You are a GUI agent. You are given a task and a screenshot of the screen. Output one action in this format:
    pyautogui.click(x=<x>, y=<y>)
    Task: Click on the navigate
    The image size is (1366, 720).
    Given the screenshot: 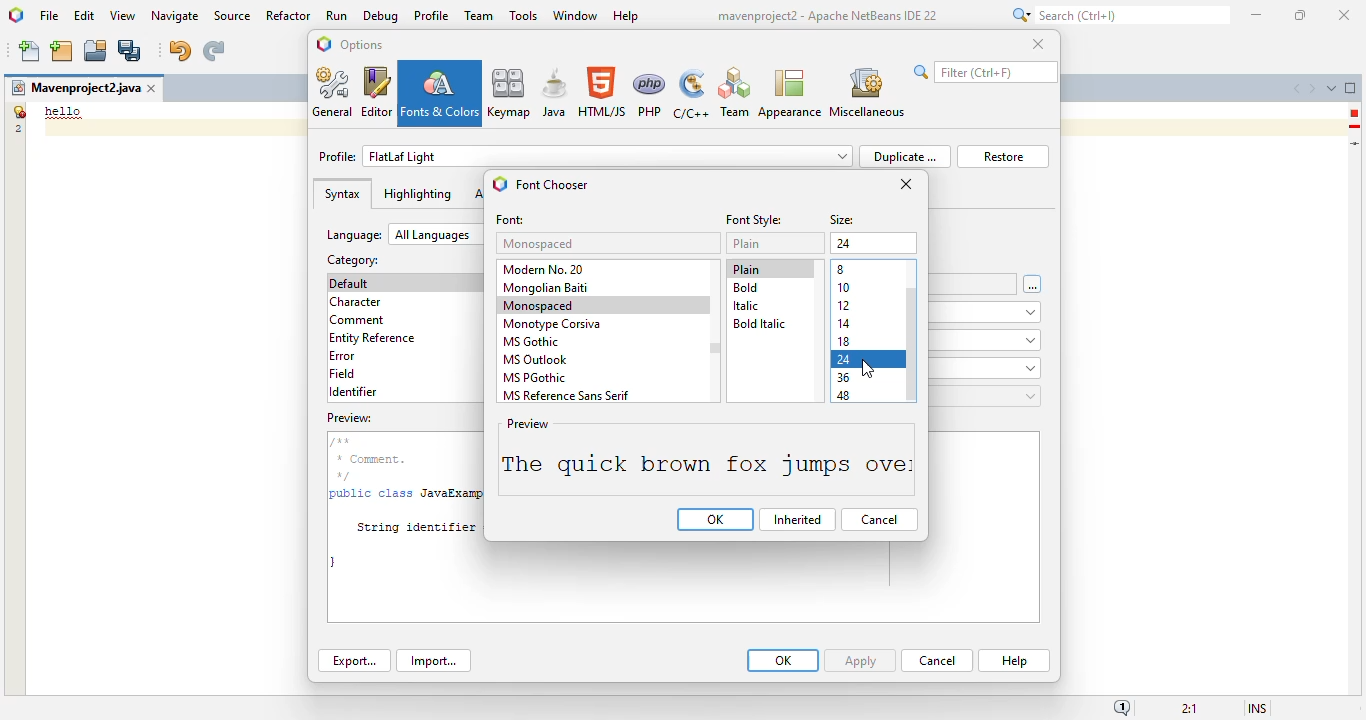 What is the action you would take?
    pyautogui.click(x=176, y=16)
    